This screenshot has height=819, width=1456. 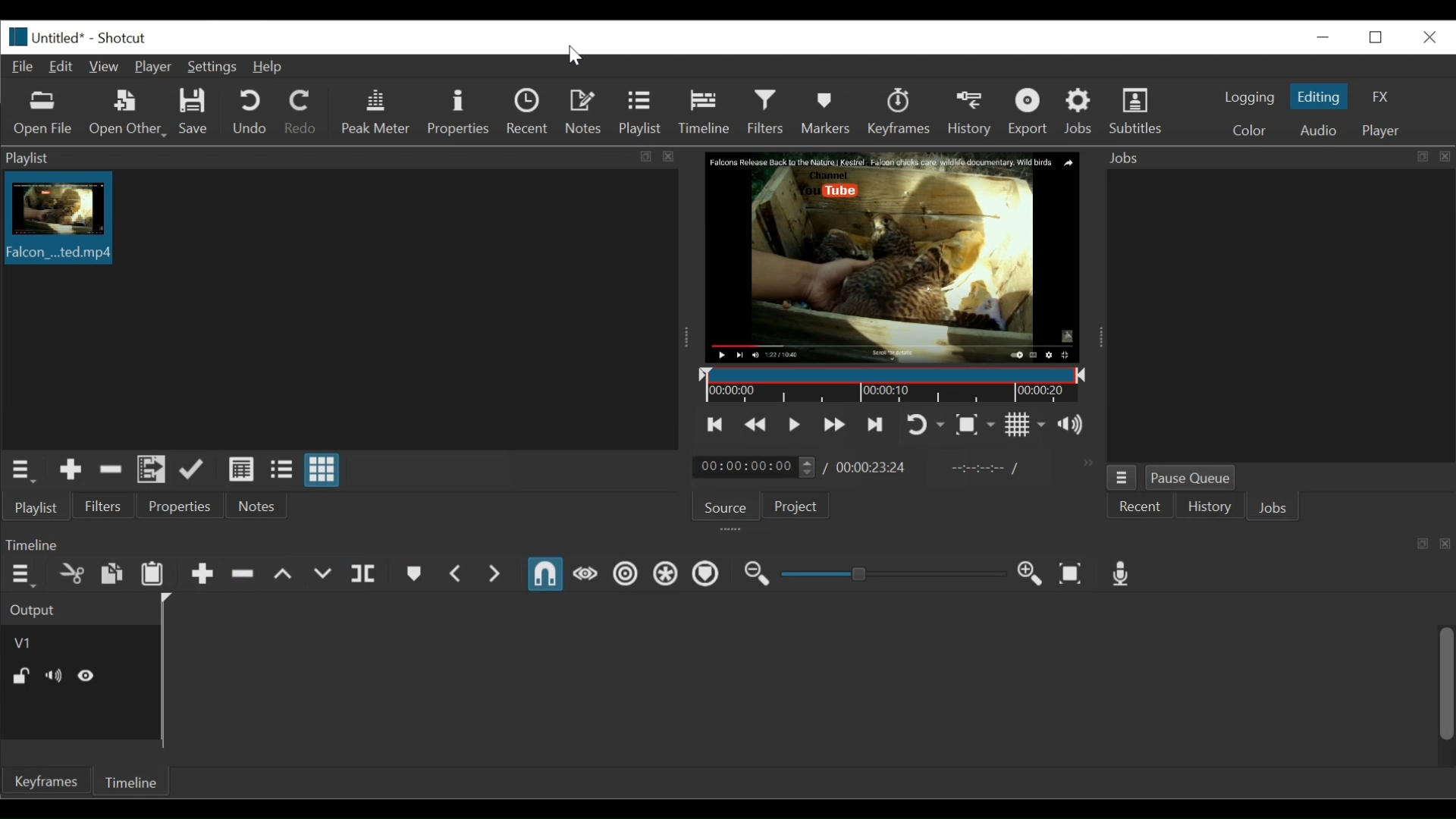 I want to click on Settings, so click(x=211, y=67).